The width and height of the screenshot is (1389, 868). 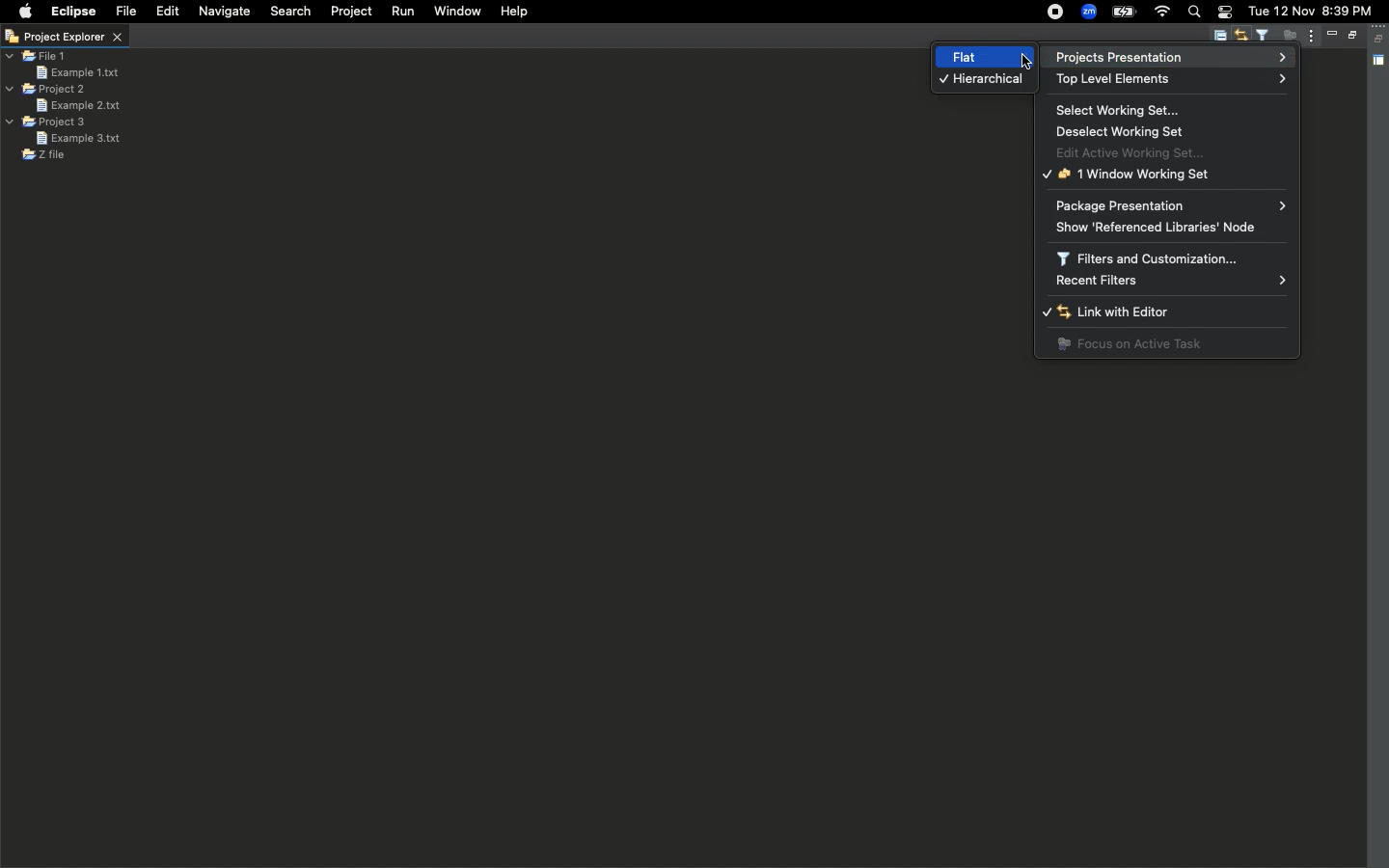 I want to click on File 1, so click(x=38, y=57).